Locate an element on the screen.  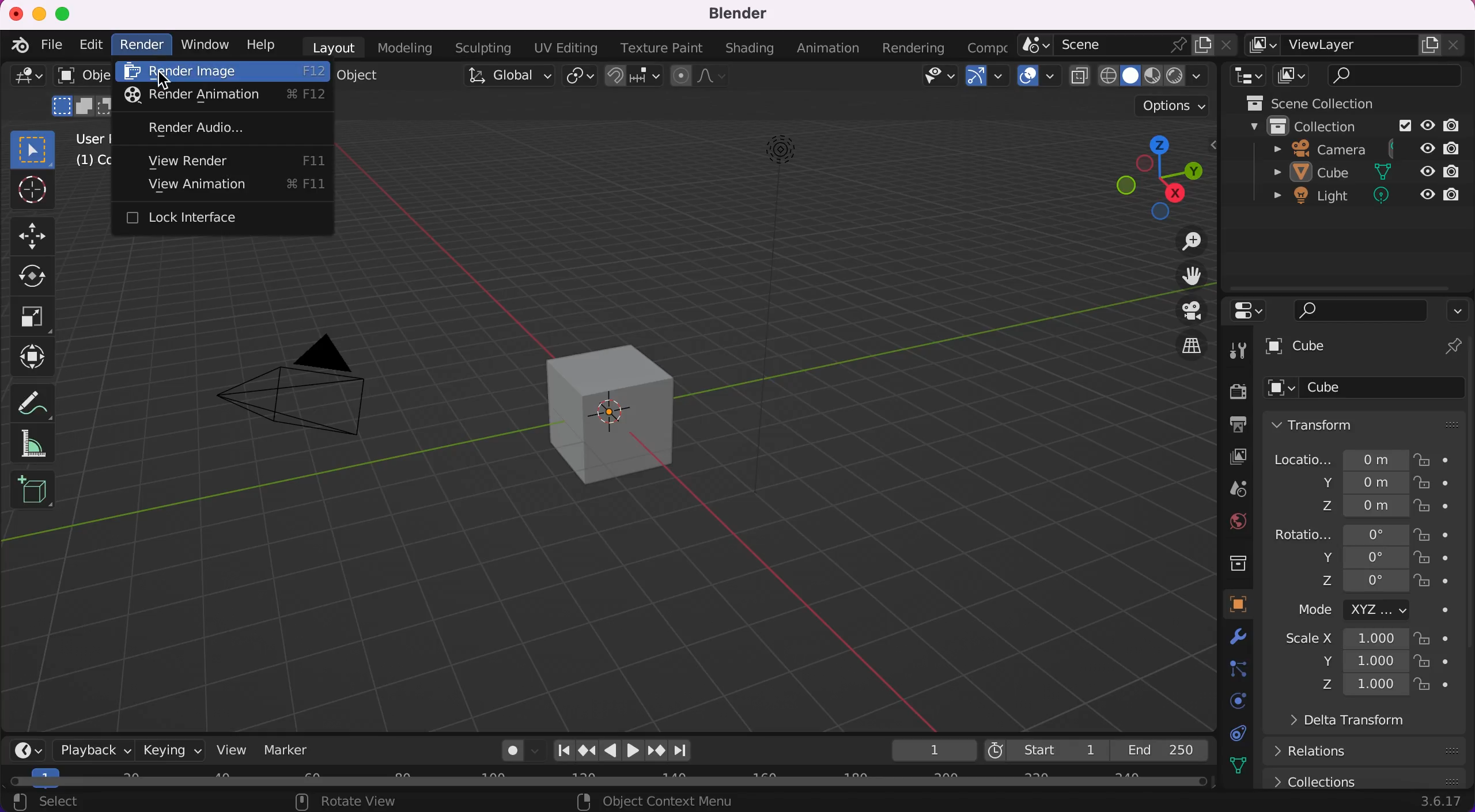
lock is located at coordinates (1432, 460).